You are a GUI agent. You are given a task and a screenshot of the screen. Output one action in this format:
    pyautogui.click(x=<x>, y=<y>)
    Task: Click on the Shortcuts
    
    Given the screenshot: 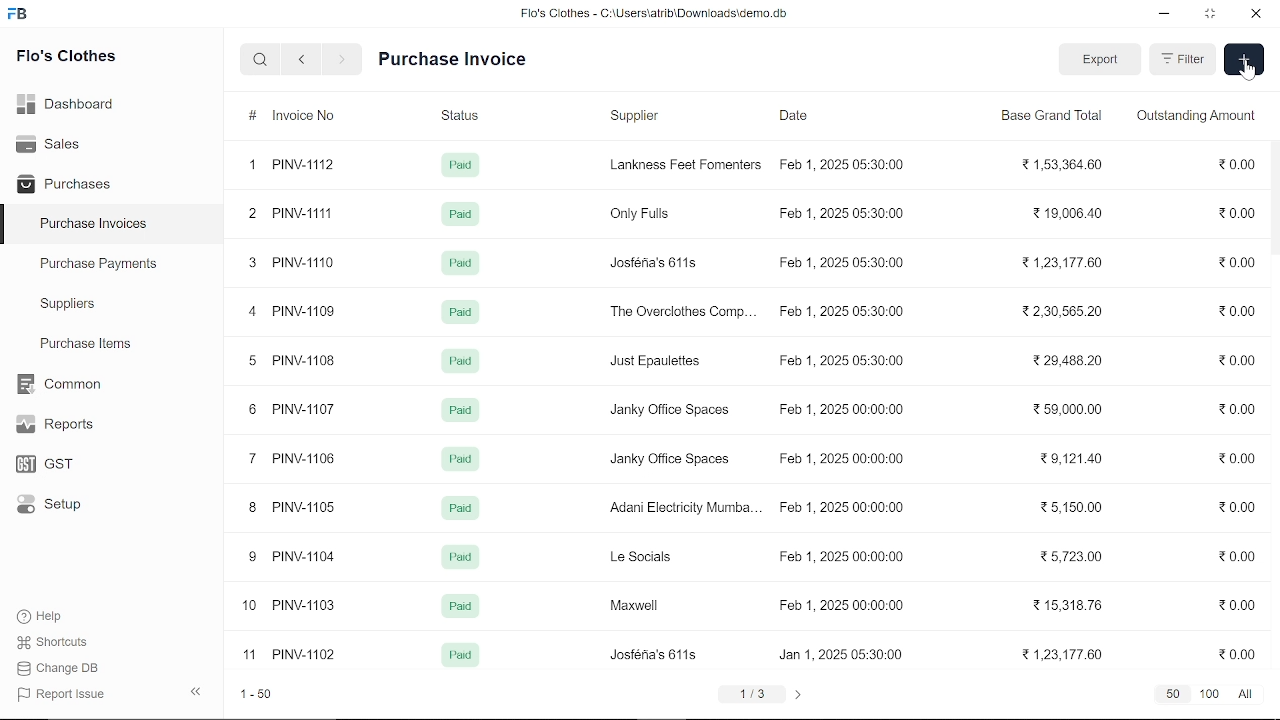 What is the action you would take?
    pyautogui.click(x=49, y=643)
    